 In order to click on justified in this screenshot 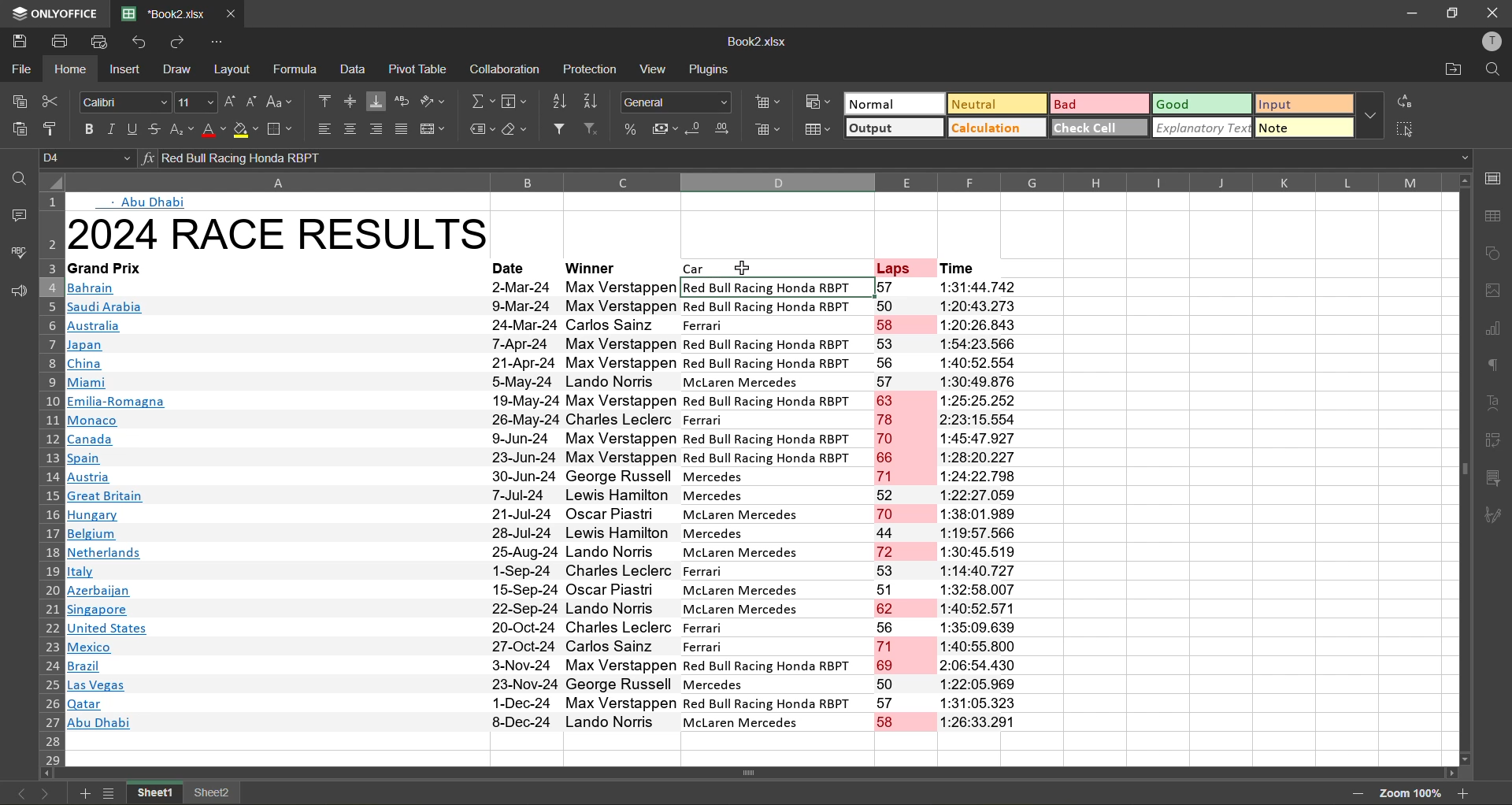, I will do `click(400, 129)`.